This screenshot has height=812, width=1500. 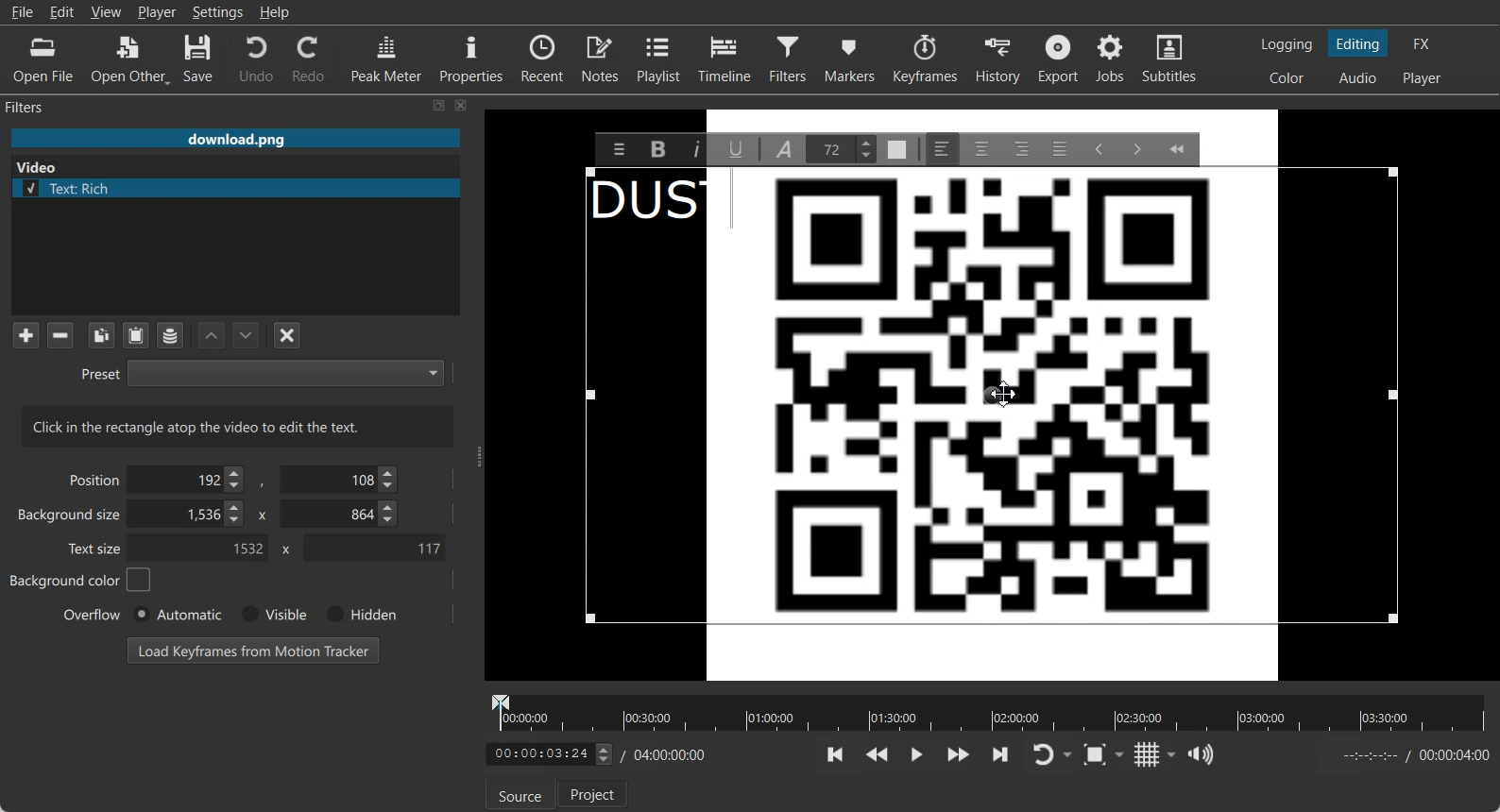 What do you see at coordinates (1172, 754) in the screenshot?
I see `Drop down box` at bounding box center [1172, 754].